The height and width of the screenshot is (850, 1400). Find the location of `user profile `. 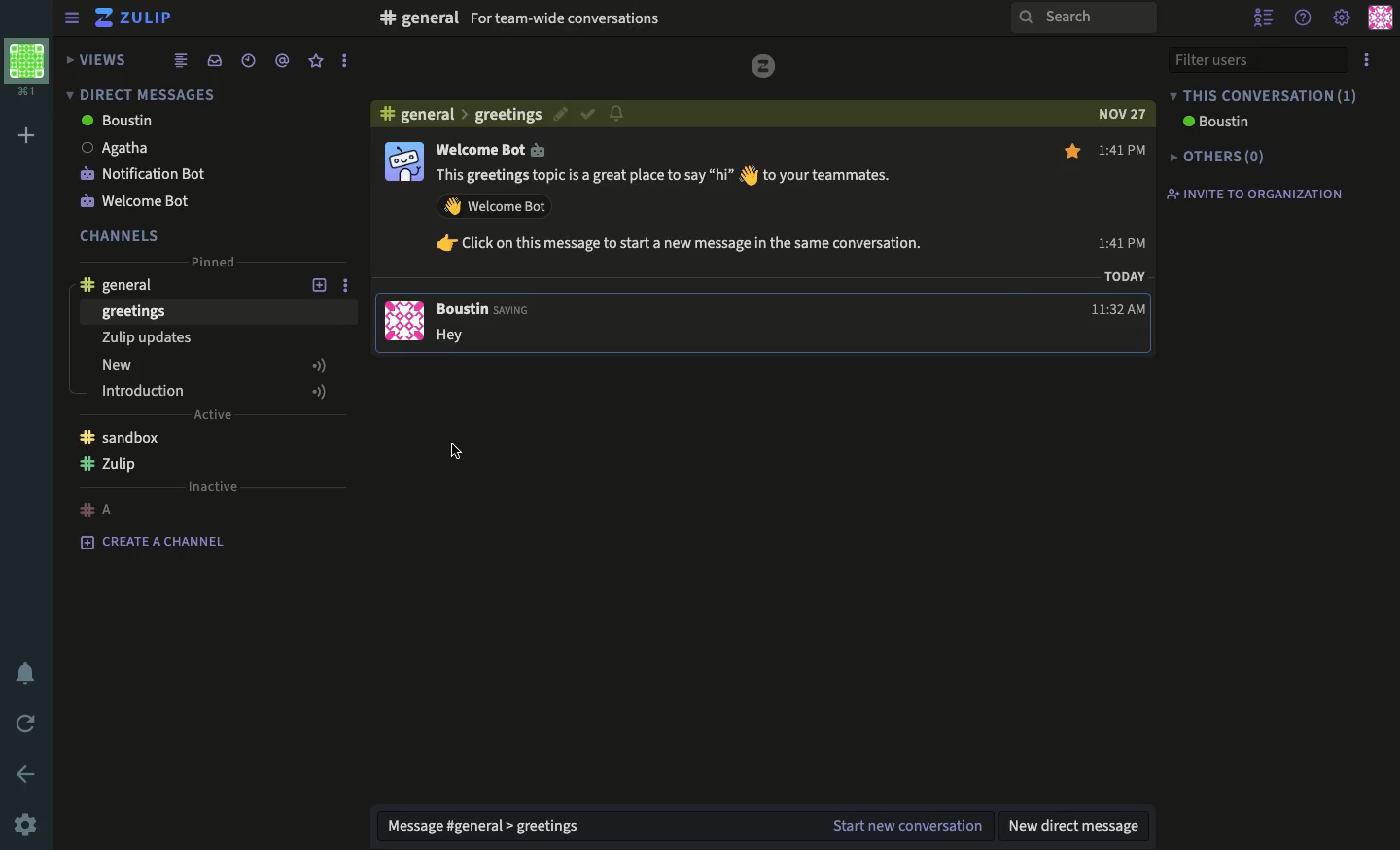

user profile  is located at coordinates (402, 237).